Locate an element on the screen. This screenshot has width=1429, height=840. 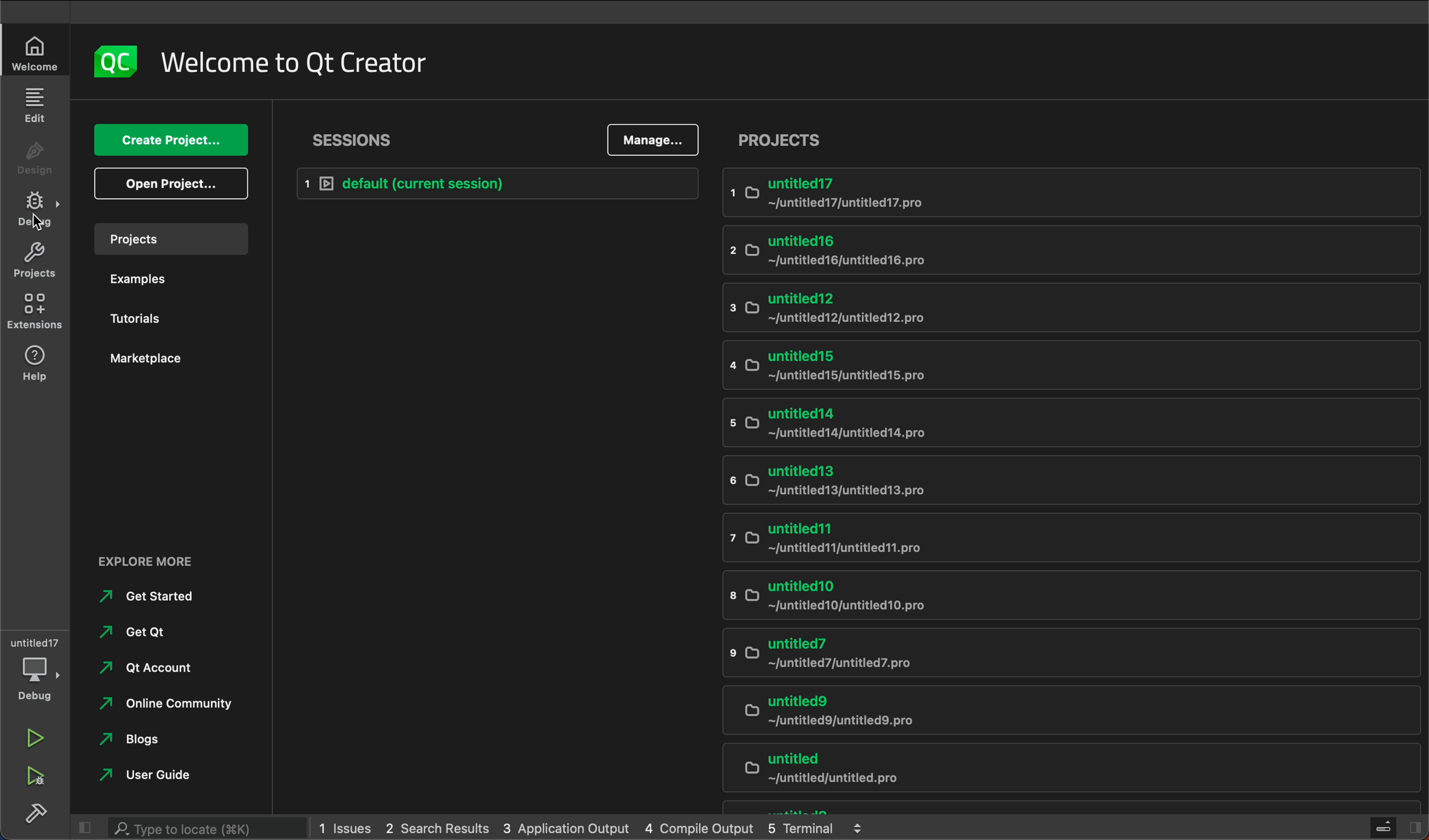
Explore More is located at coordinates (154, 556).